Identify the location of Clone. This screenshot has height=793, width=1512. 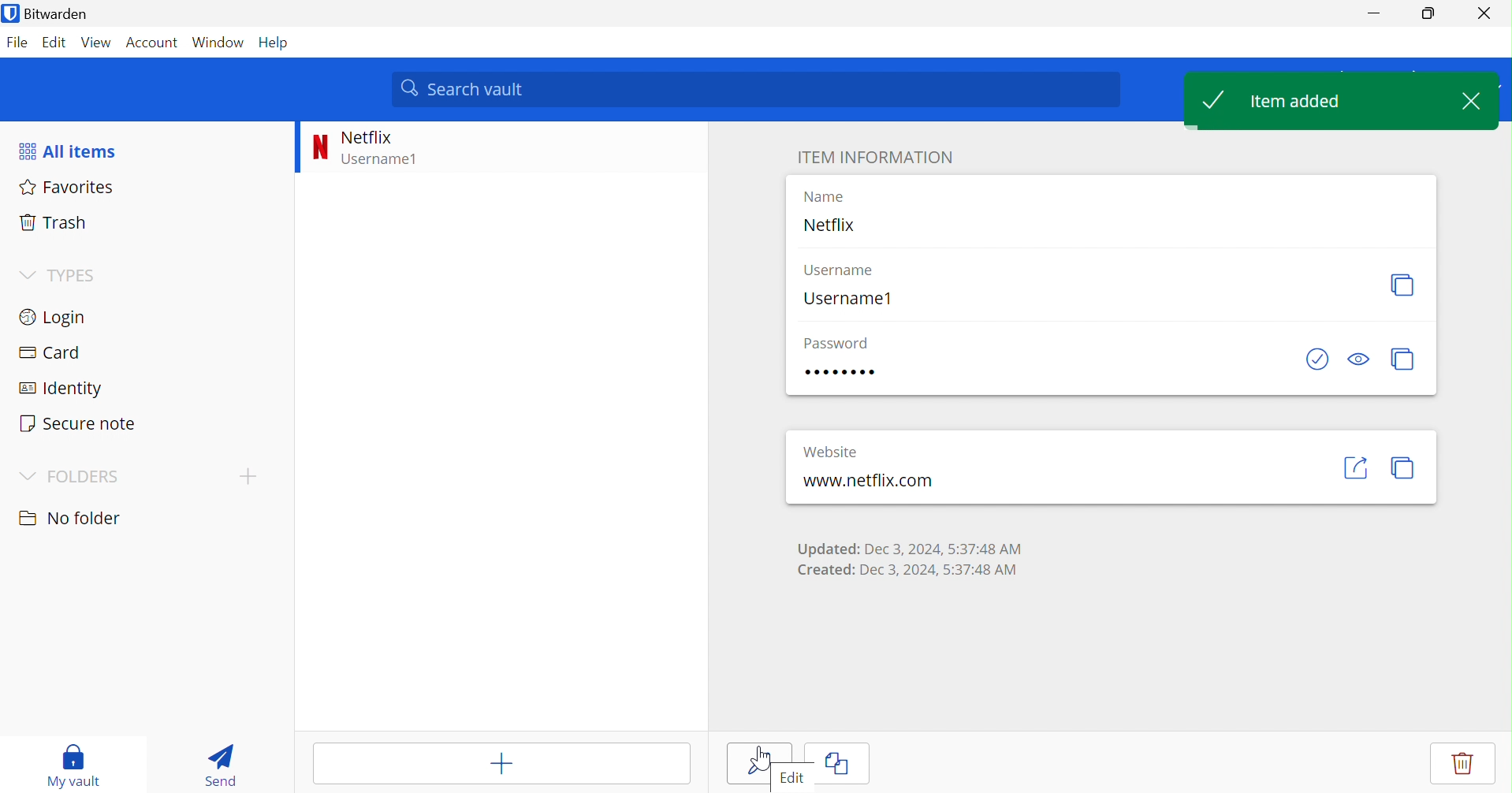
(836, 763).